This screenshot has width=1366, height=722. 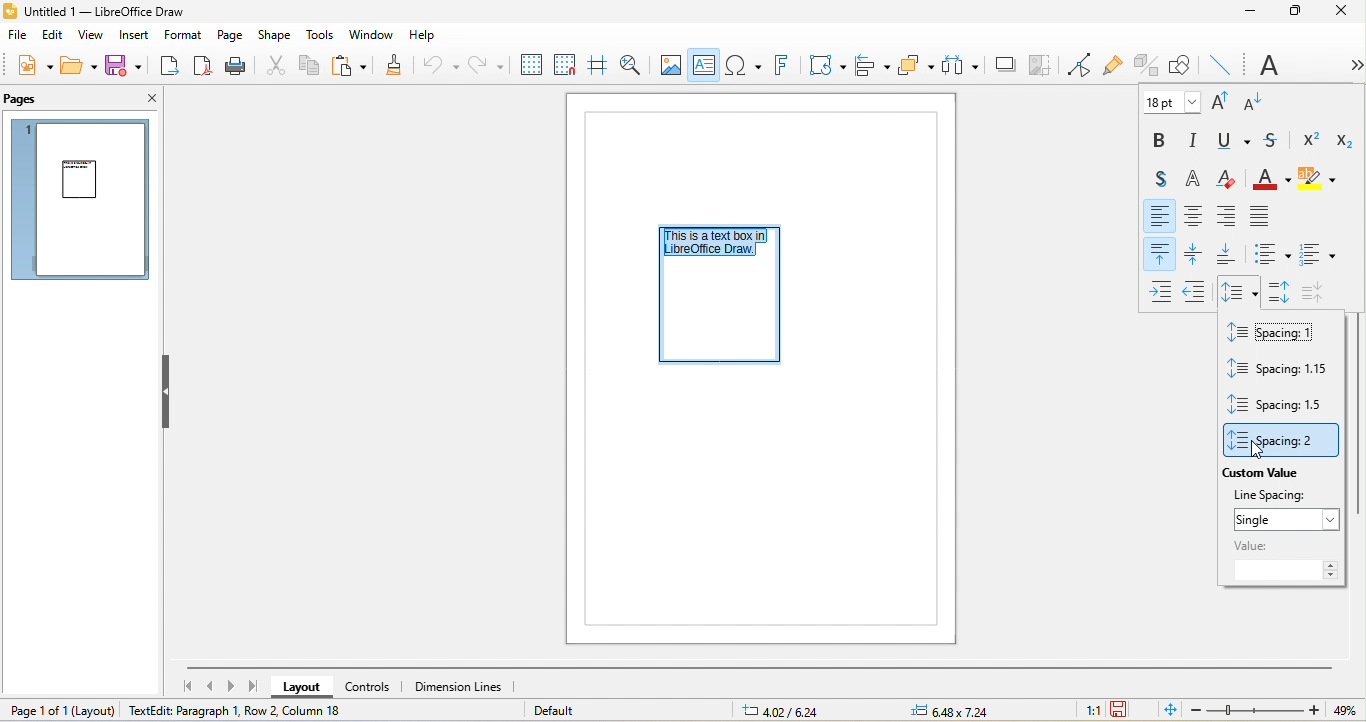 What do you see at coordinates (1169, 102) in the screenshot?
I see `font size` at bounding box center [1169, 102].